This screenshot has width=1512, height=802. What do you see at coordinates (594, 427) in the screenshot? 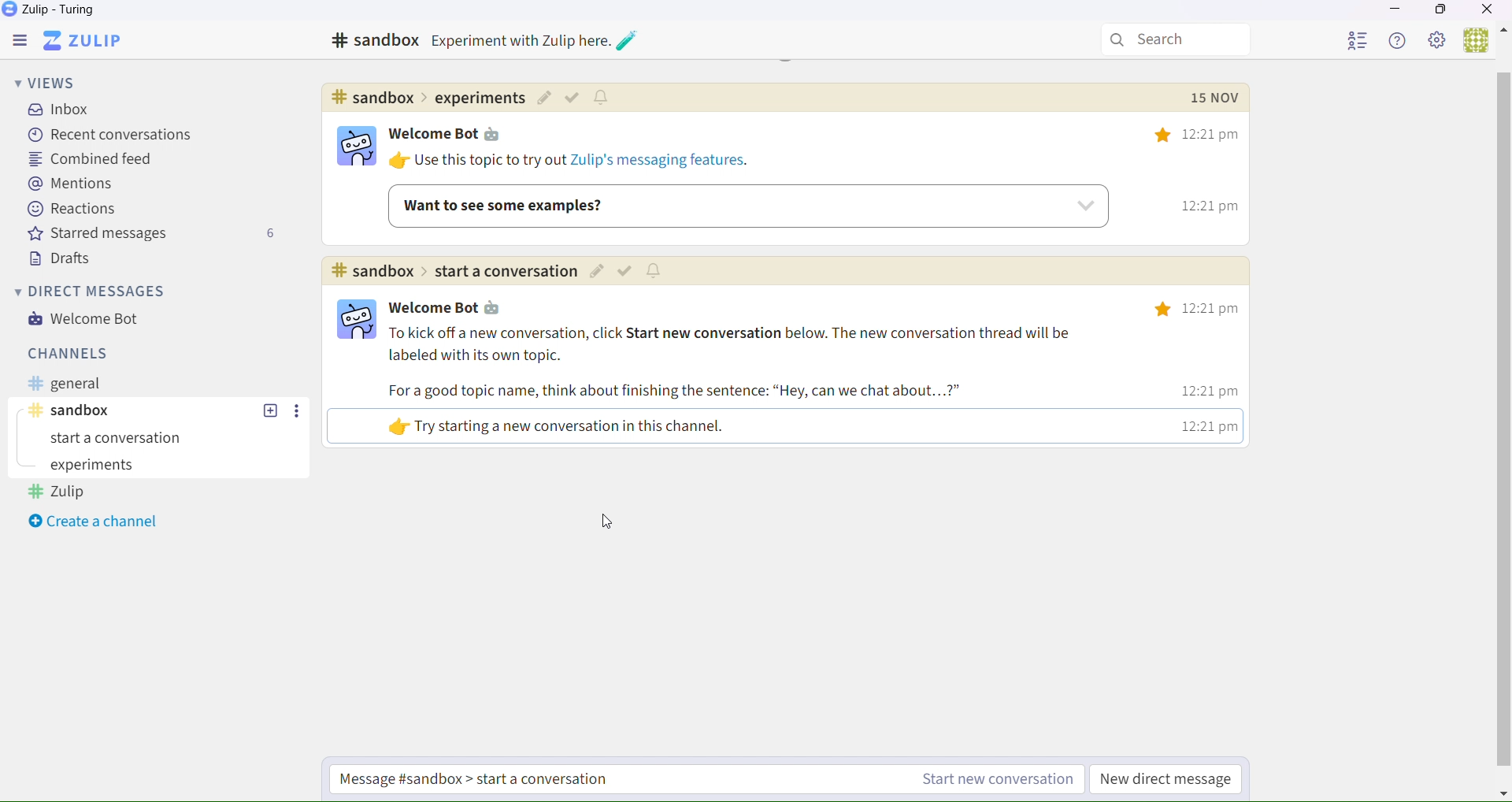
I see `«ly Try starting a new conversation in this channel.` at bounding box center [594, 427].